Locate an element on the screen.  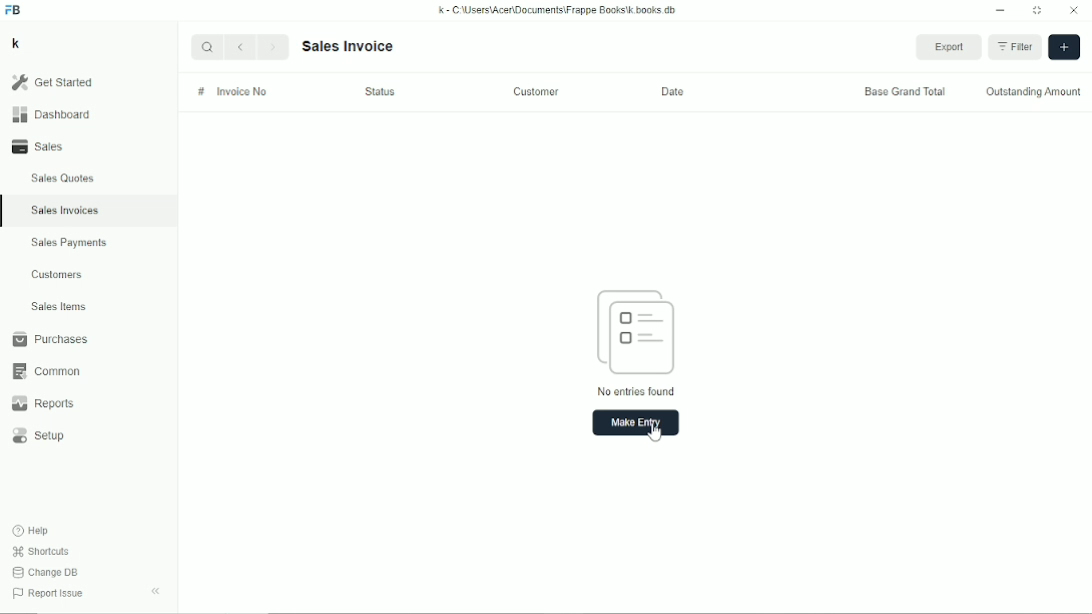
Sales quotes is located at coordinates (61, 178).